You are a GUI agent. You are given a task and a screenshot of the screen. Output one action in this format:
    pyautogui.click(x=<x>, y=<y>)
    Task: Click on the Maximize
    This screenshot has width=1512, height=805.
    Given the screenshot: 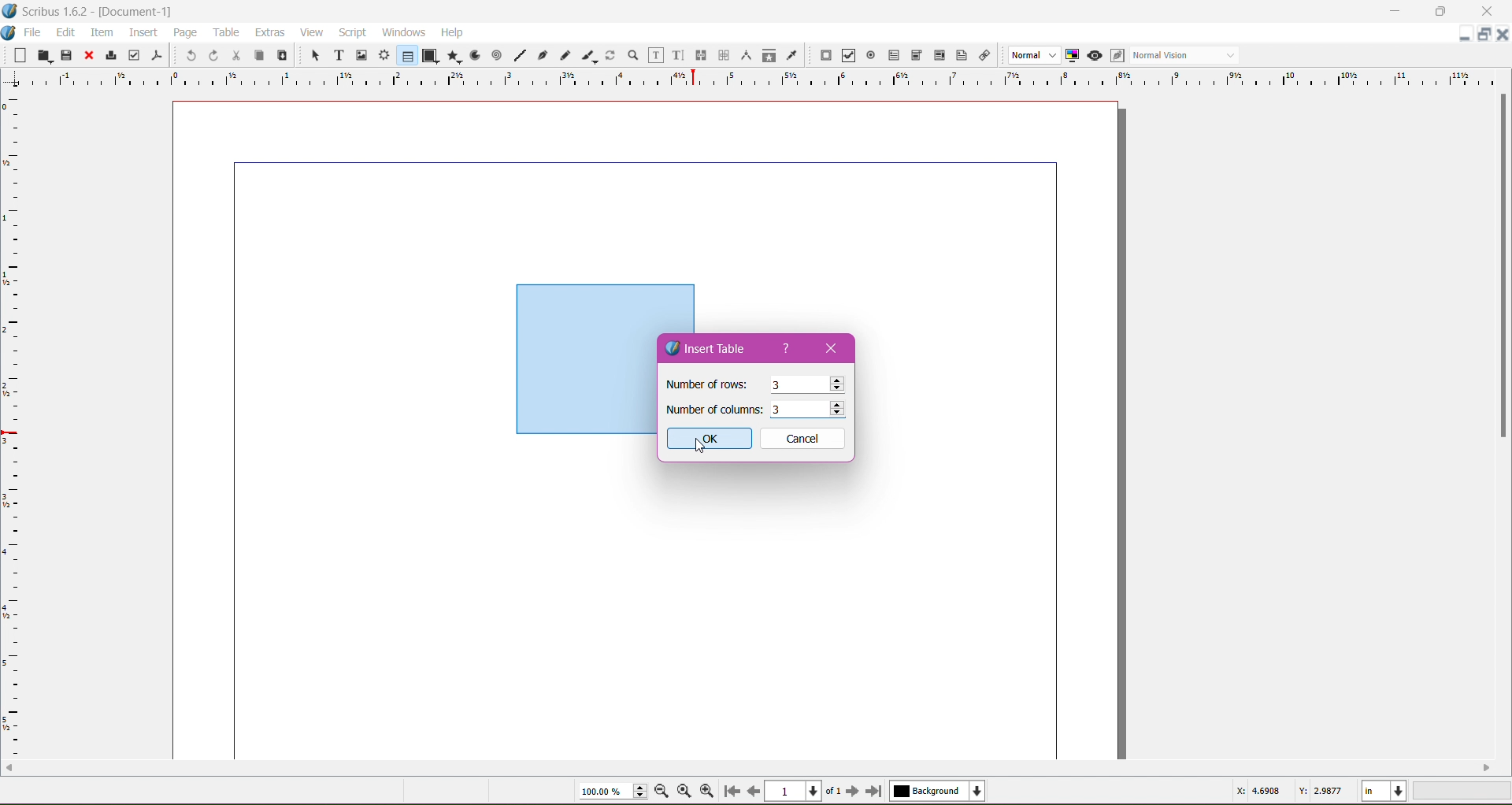 What is the action you would take?
    pyautogui.click(x=1441, y=11)
    